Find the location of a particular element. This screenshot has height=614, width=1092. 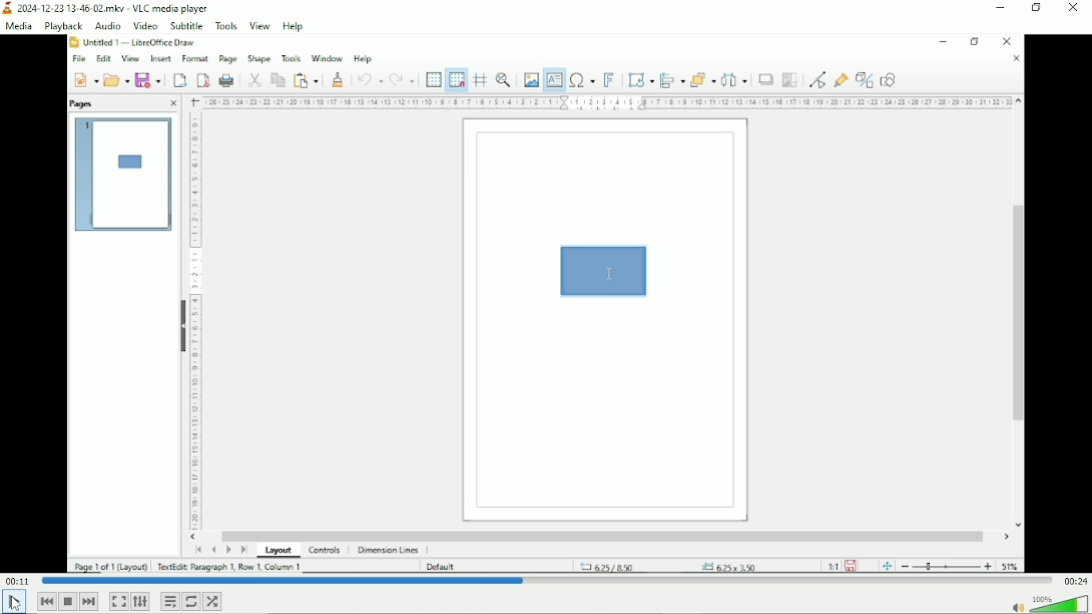

Help is located at coordinates (293, 27).